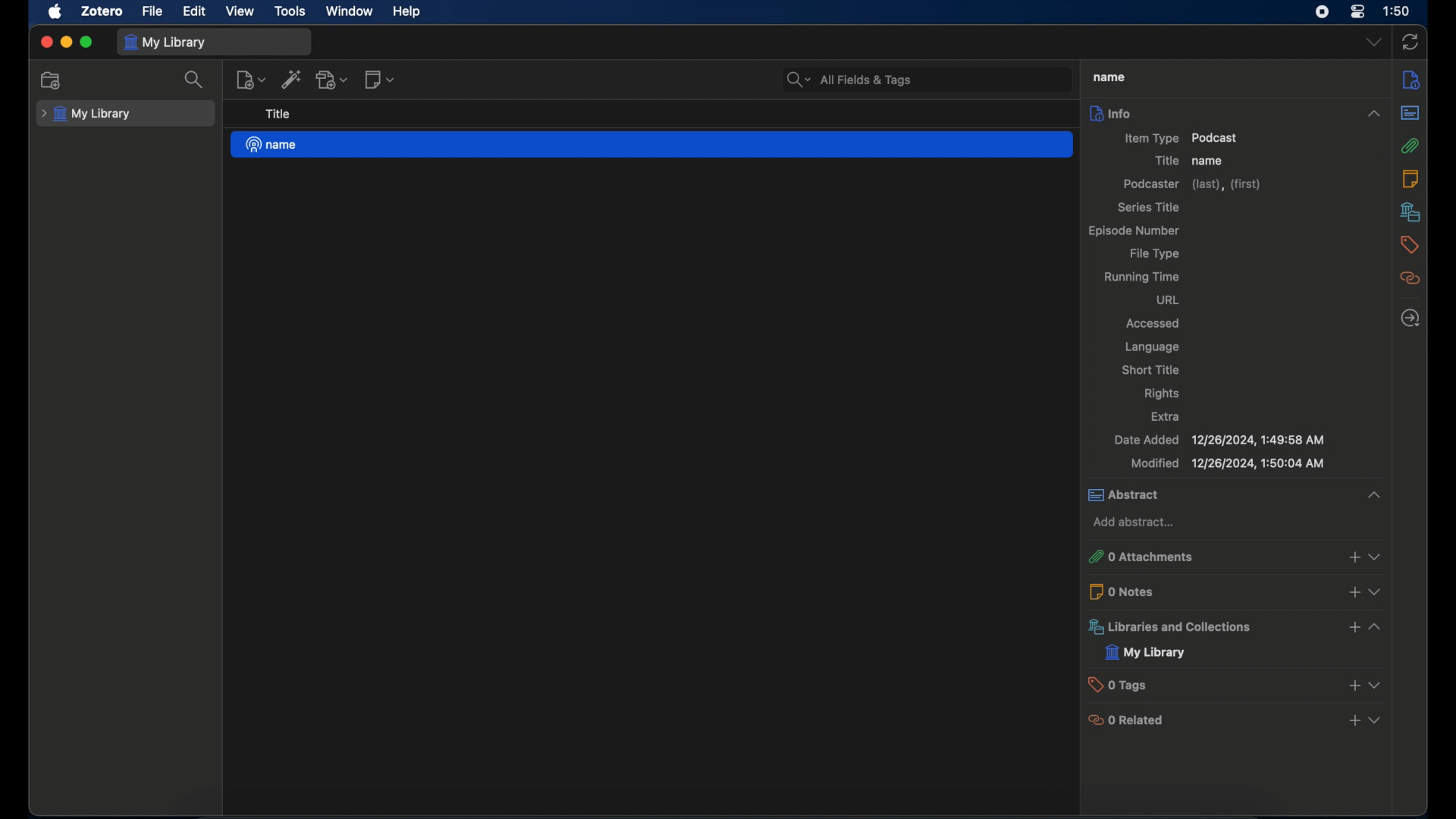  What do you see at coordinates (1154, 325) in the screenshot?
I see `accessed` at bounding box center [1154, 325].